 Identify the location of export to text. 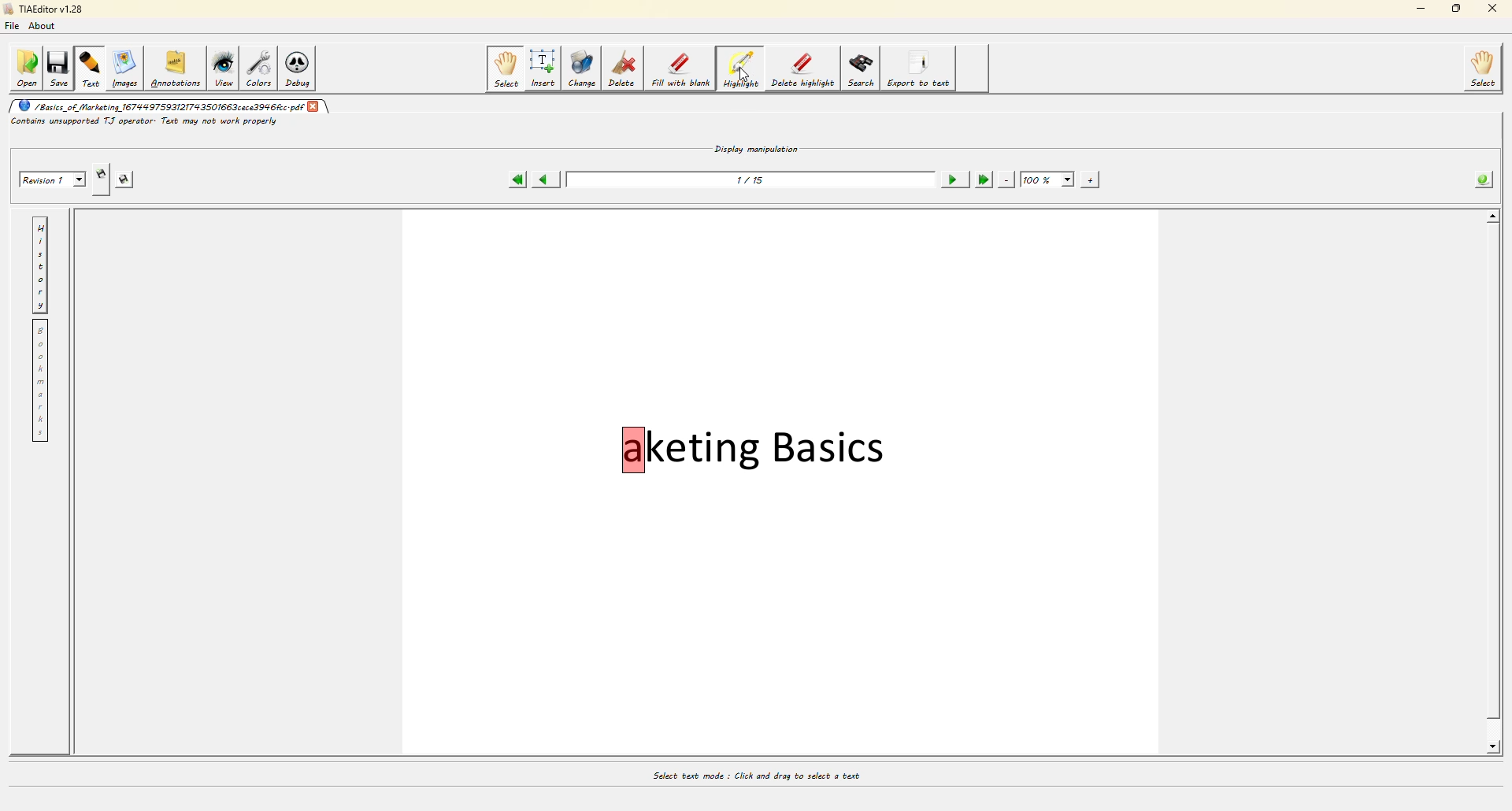
(923, 70).